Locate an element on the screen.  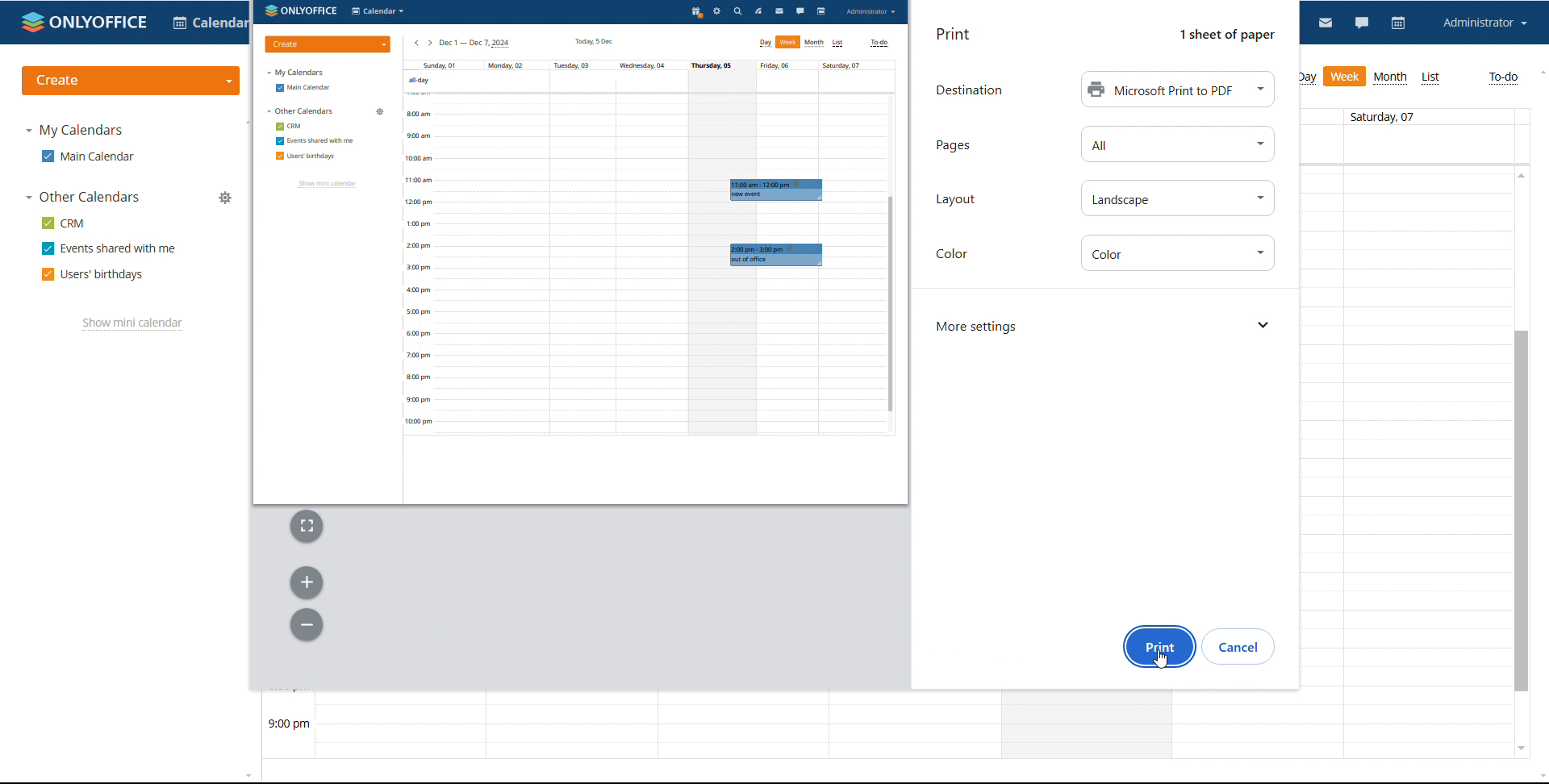
allday events is located at coordinates (1409, 144).